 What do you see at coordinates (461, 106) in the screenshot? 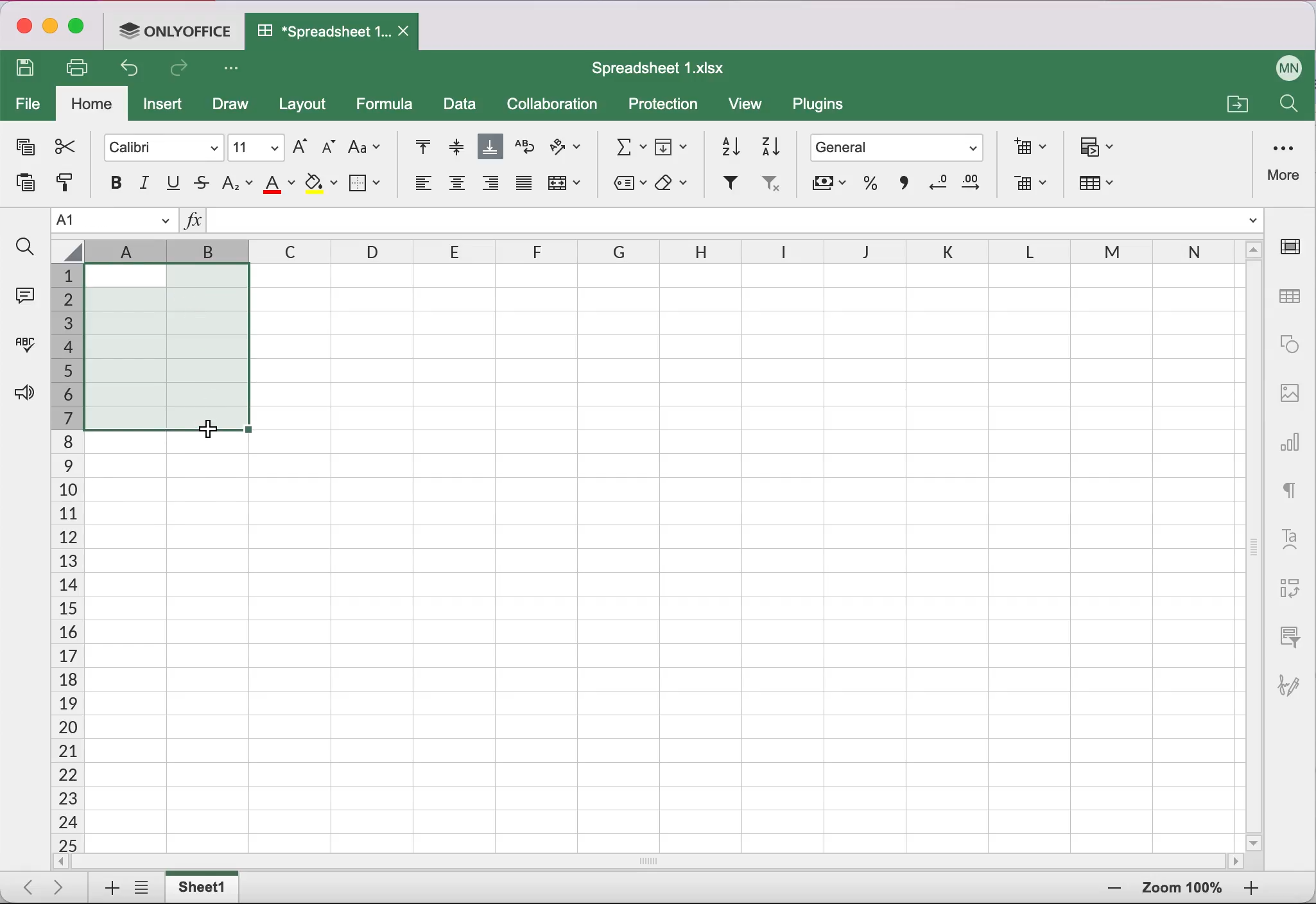
I see `data` at bounding box center [461, 106].